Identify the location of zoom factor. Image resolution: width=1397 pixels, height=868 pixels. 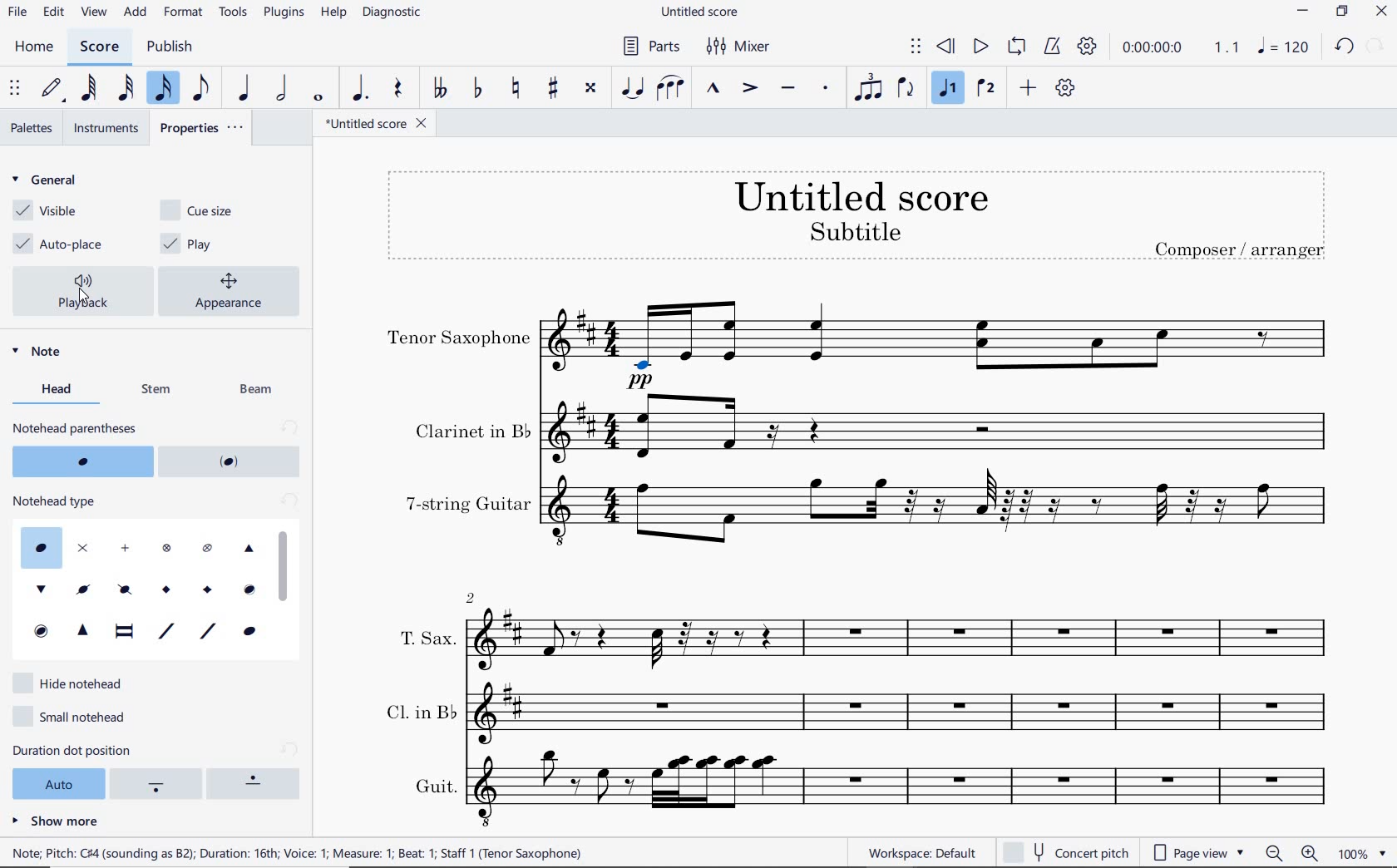
(1361, 853).